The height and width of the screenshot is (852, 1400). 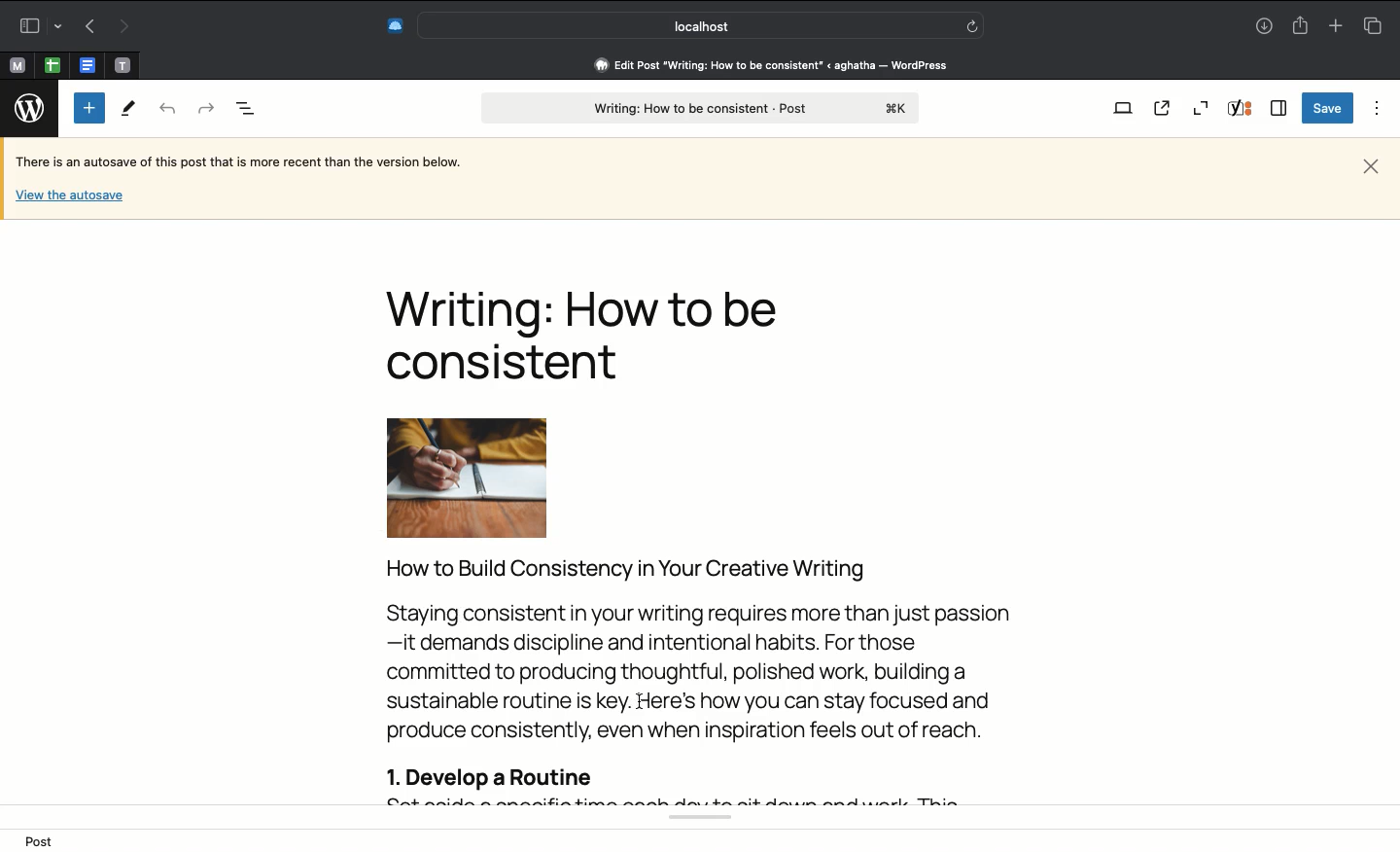 I want to click on Wordpress logo, so click(x=31, y=109).